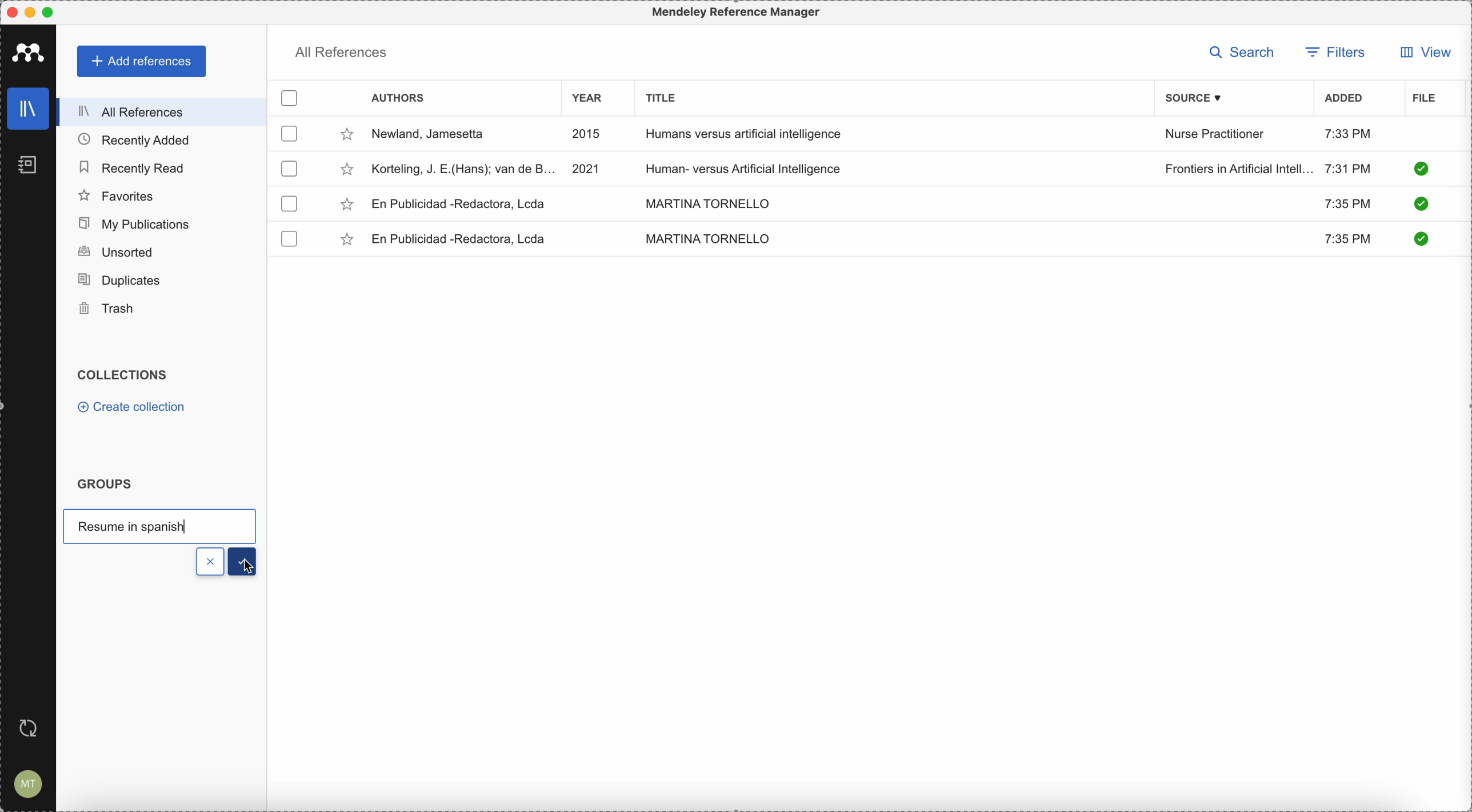 This screenshot has width=1472, height=812. Describe the element at coordinates (739, 13) in the screenshot. I see `Mendeley Referencen Manager` at that location.